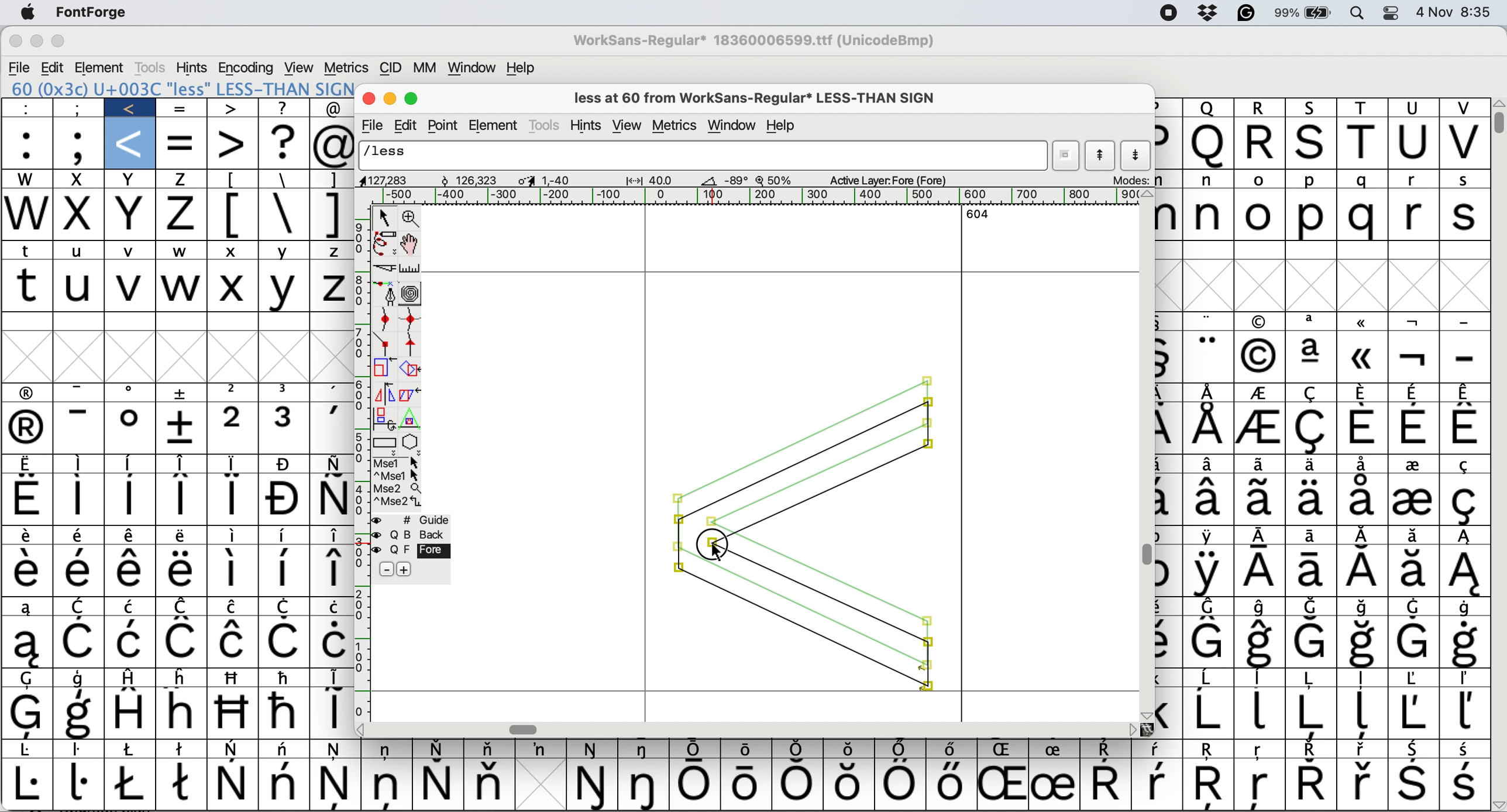  Describe the element at coordinates (181, 287) in the screenshot. I see `w` at that location.